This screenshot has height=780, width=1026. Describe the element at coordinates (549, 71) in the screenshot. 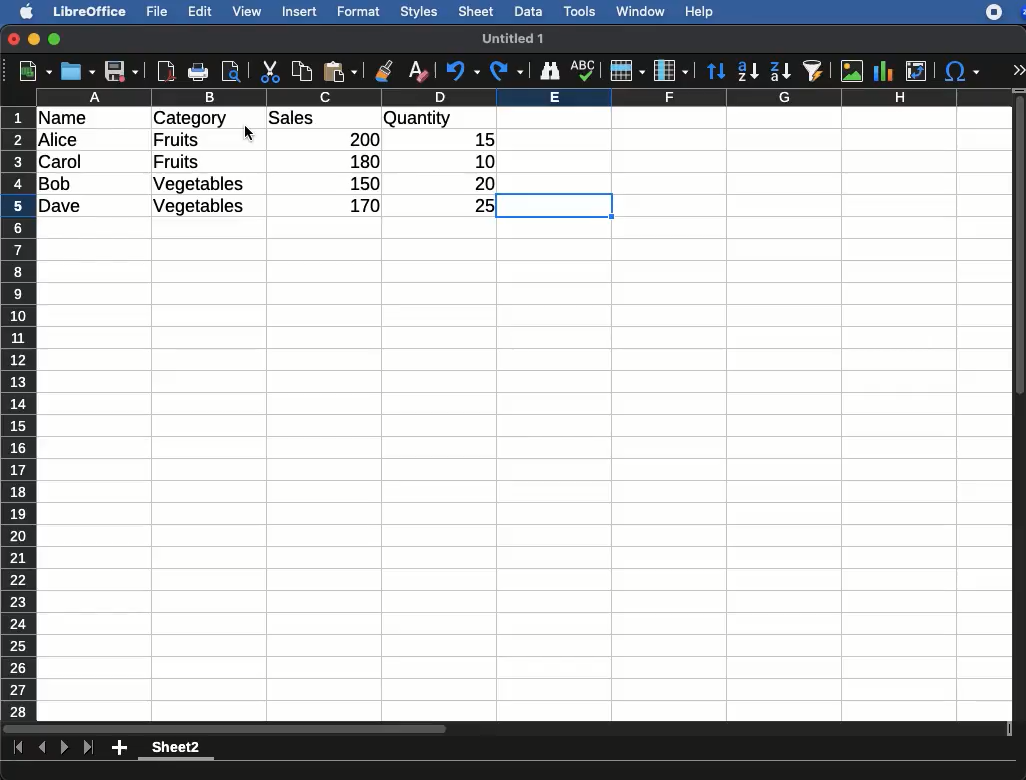

I see `finder` at that location.